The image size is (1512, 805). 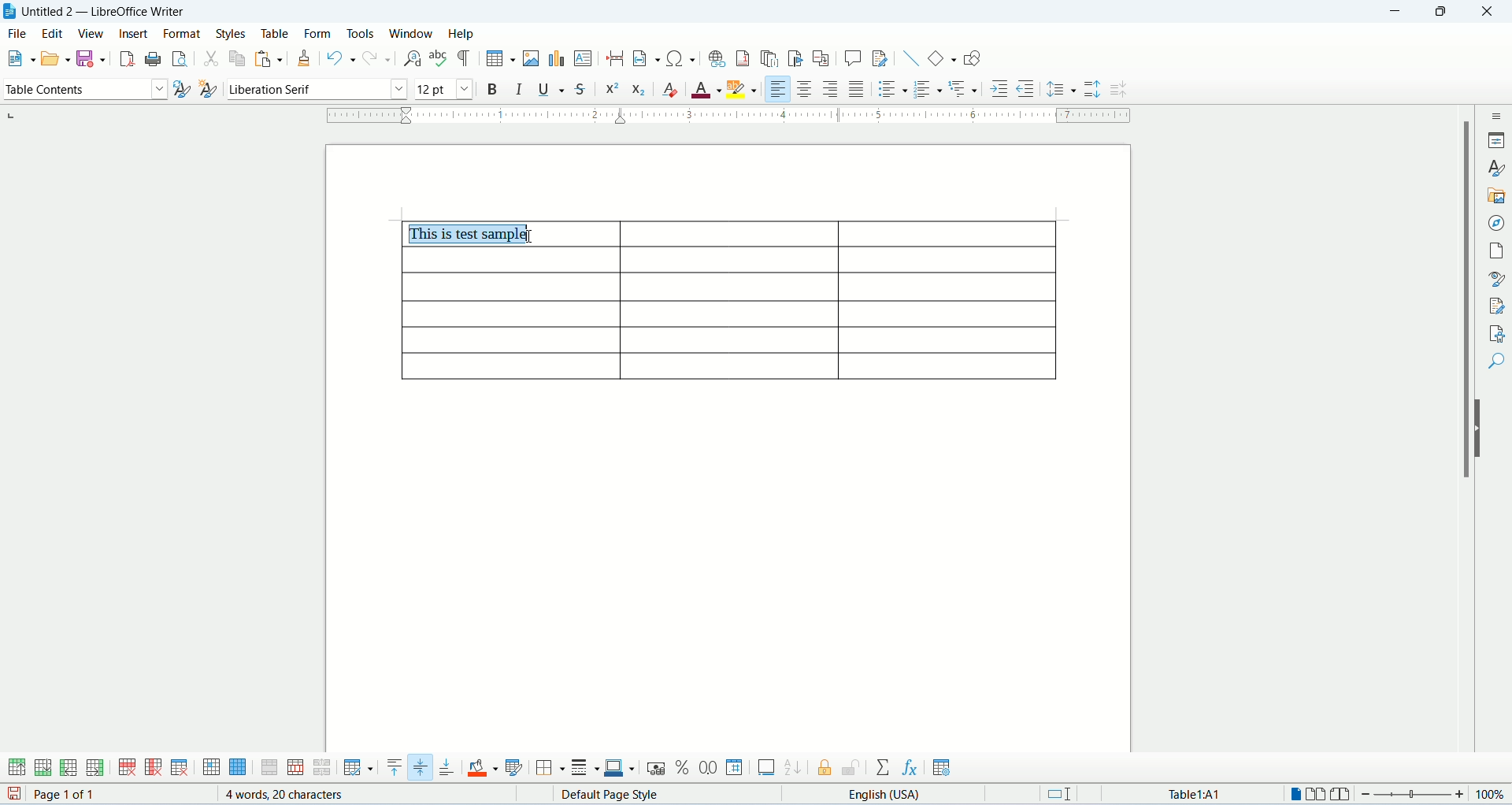 What do you see at coordinates (180, 766) in the screenshot?
I see `delete table` at bounding box center [180, 766].